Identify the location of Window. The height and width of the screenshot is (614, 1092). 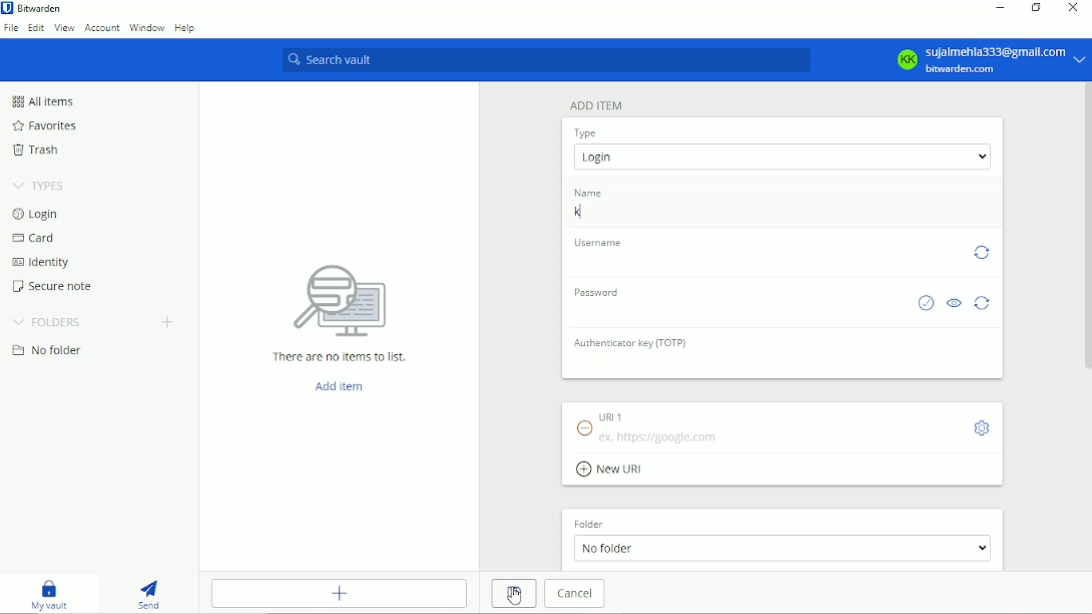
(146, 28).